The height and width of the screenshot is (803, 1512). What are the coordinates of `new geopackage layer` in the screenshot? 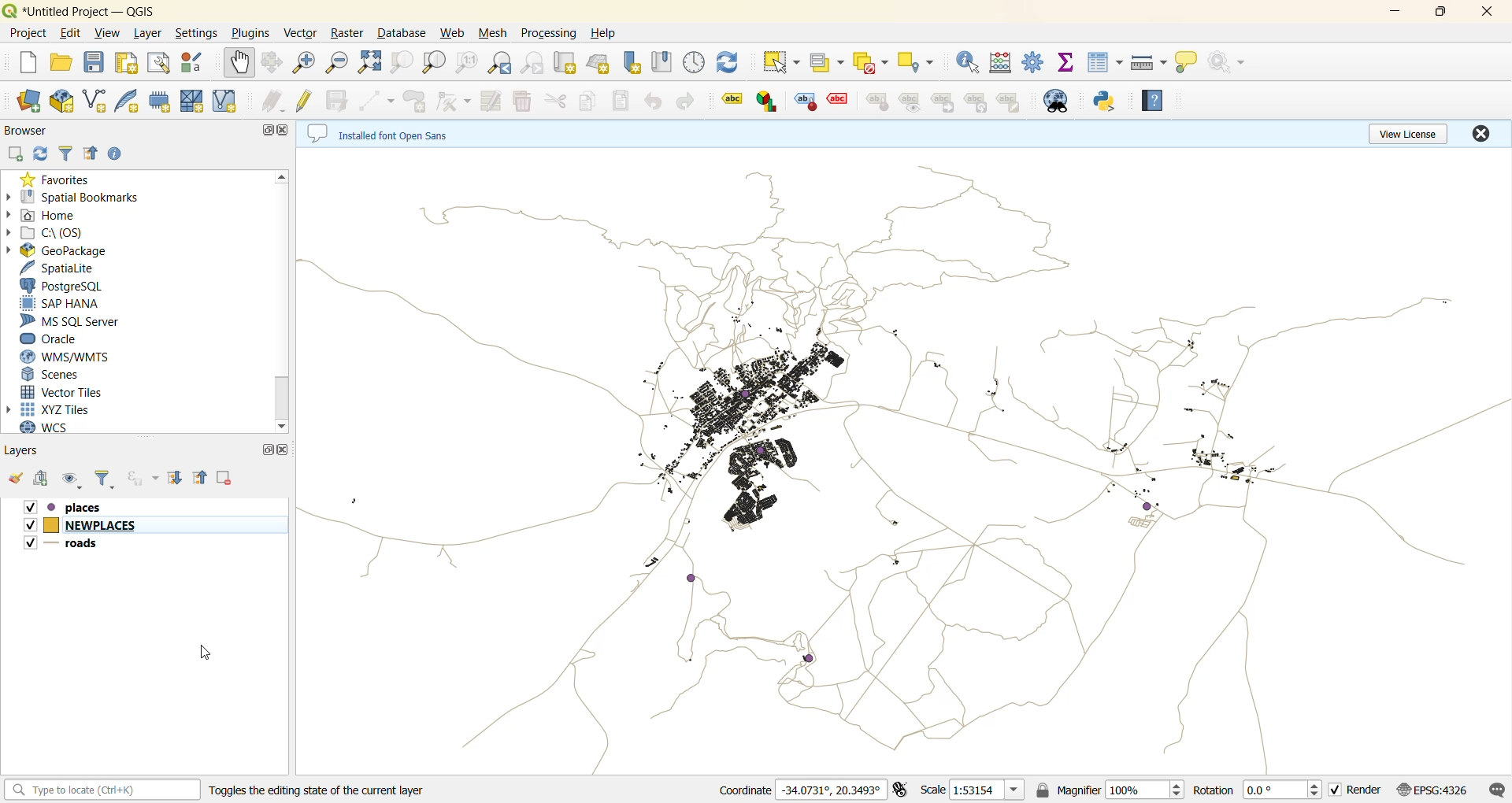 It's located at (61, 101).